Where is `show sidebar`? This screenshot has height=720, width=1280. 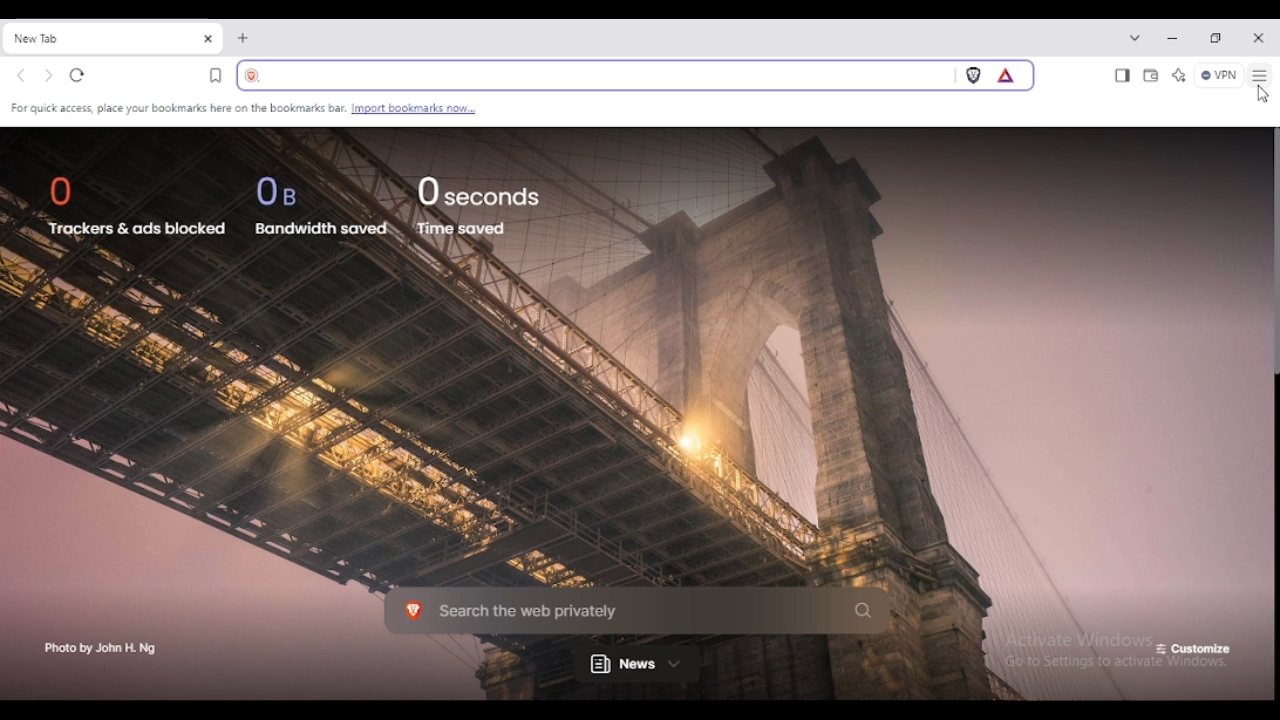
show sidebar is located at coordinates (1122, 76).